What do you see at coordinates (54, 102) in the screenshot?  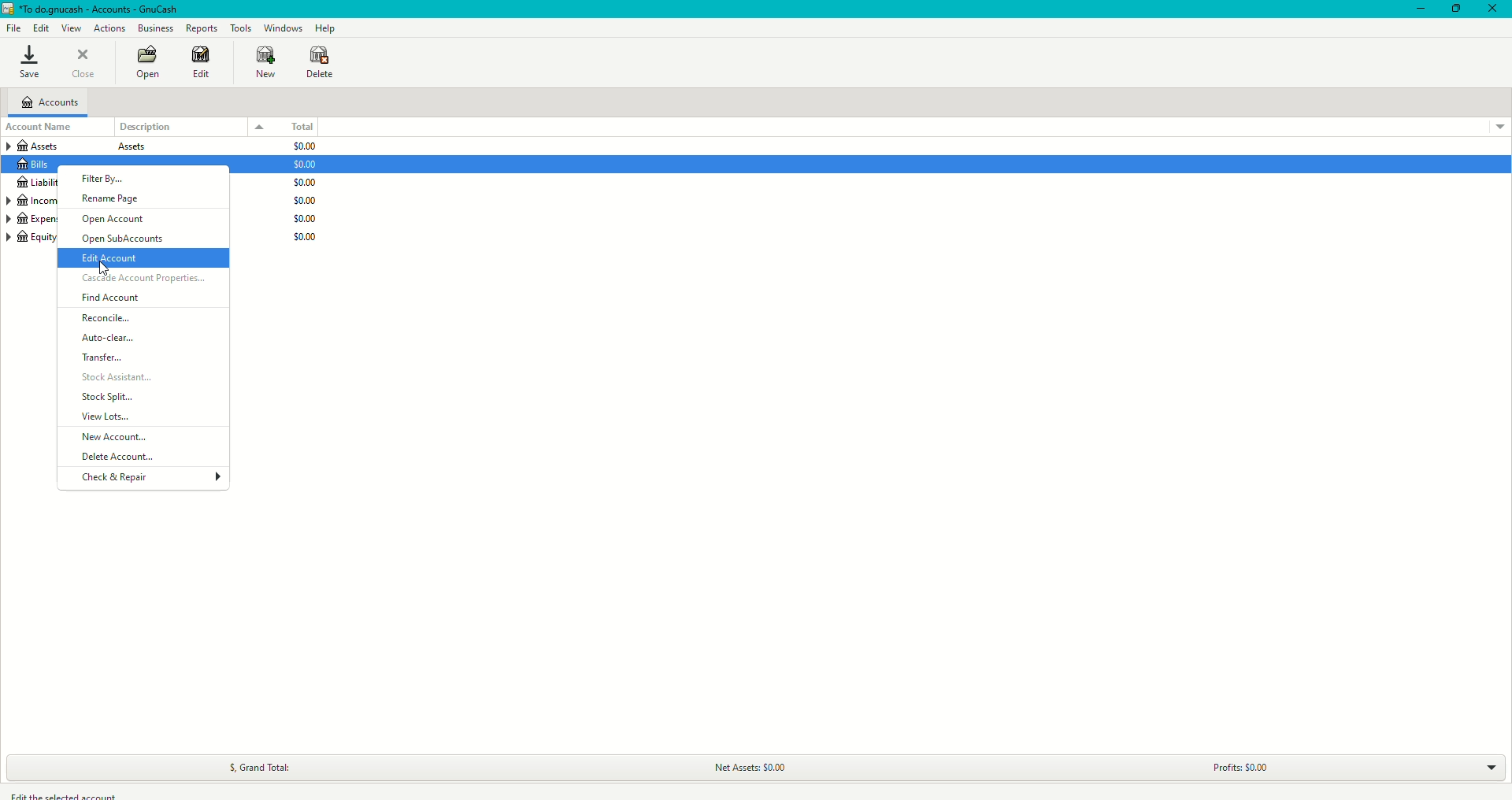 I see `Accounts` at bounding box center [54, 102].